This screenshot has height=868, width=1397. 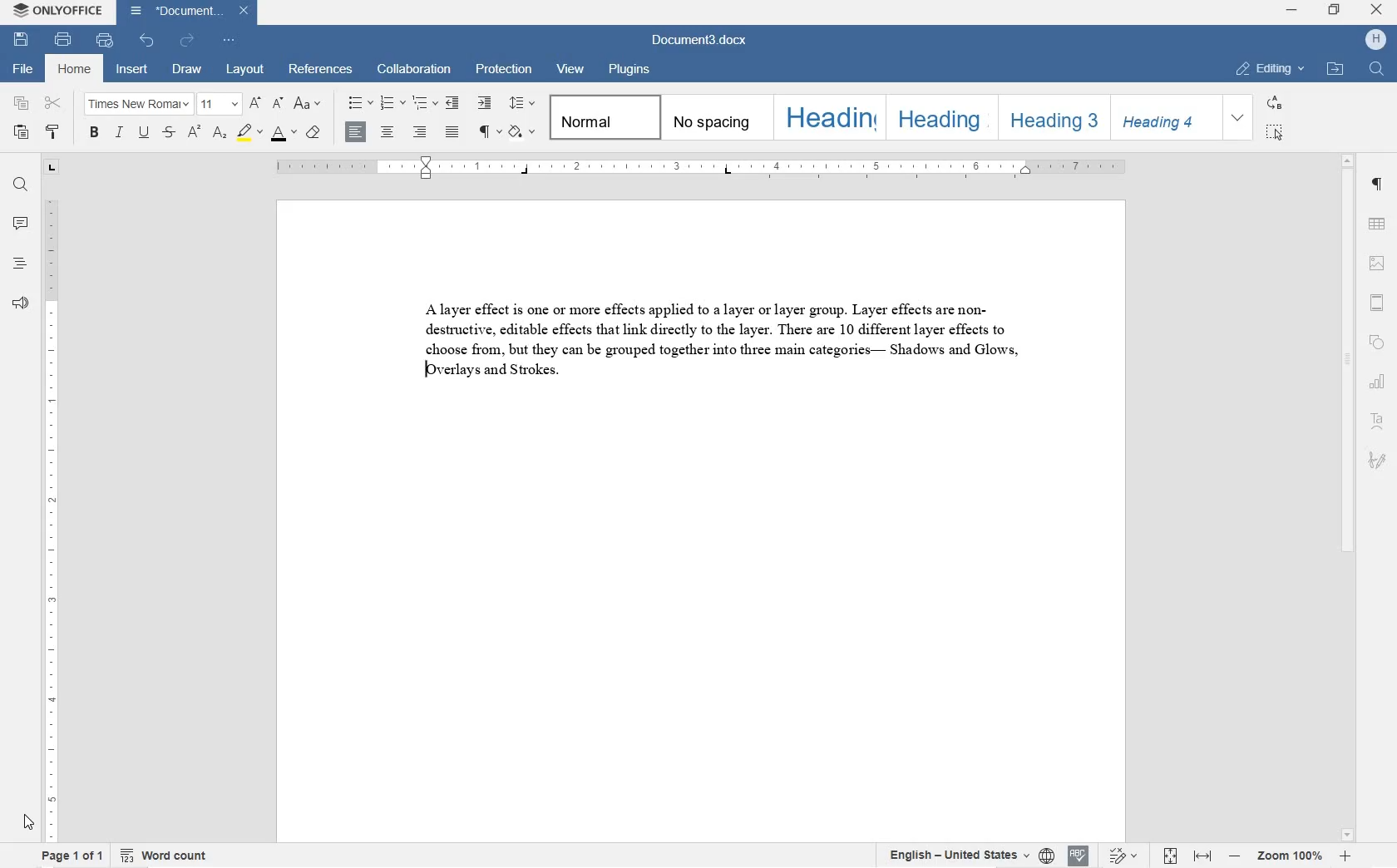 I want to click on redo, so click(x=188, y=42).